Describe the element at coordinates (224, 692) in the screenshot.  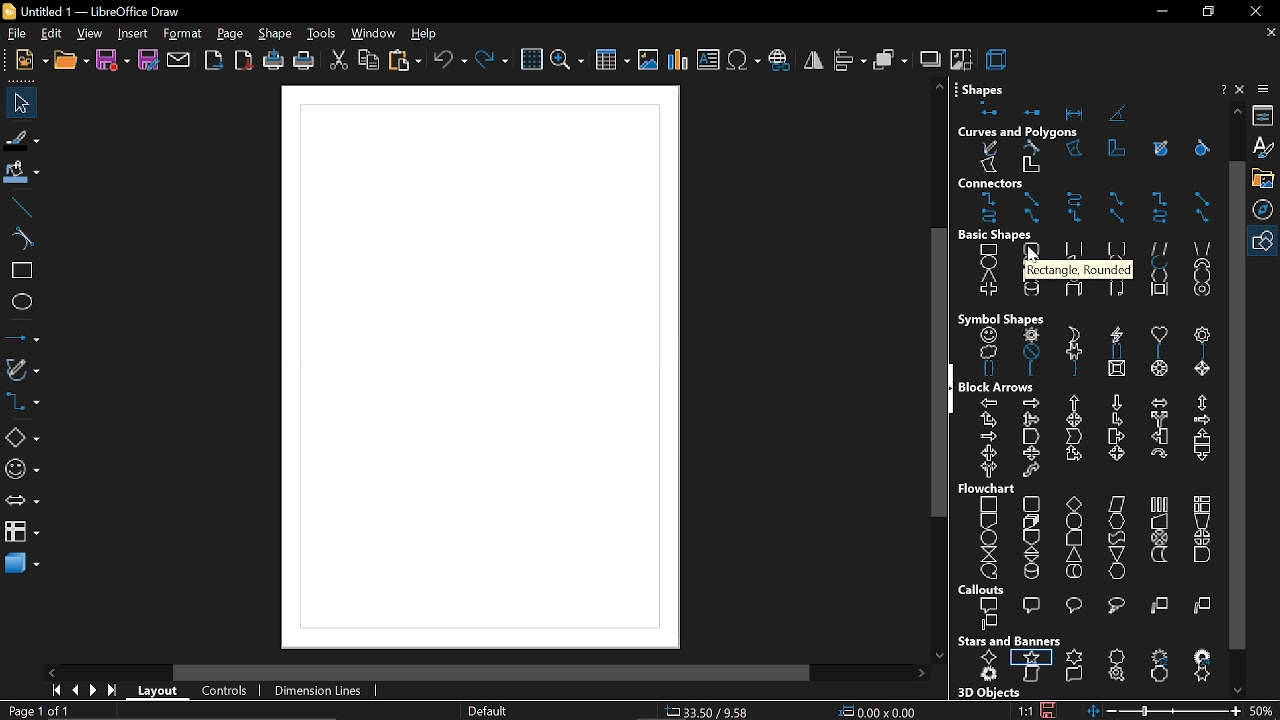
I see `controls` at that location.